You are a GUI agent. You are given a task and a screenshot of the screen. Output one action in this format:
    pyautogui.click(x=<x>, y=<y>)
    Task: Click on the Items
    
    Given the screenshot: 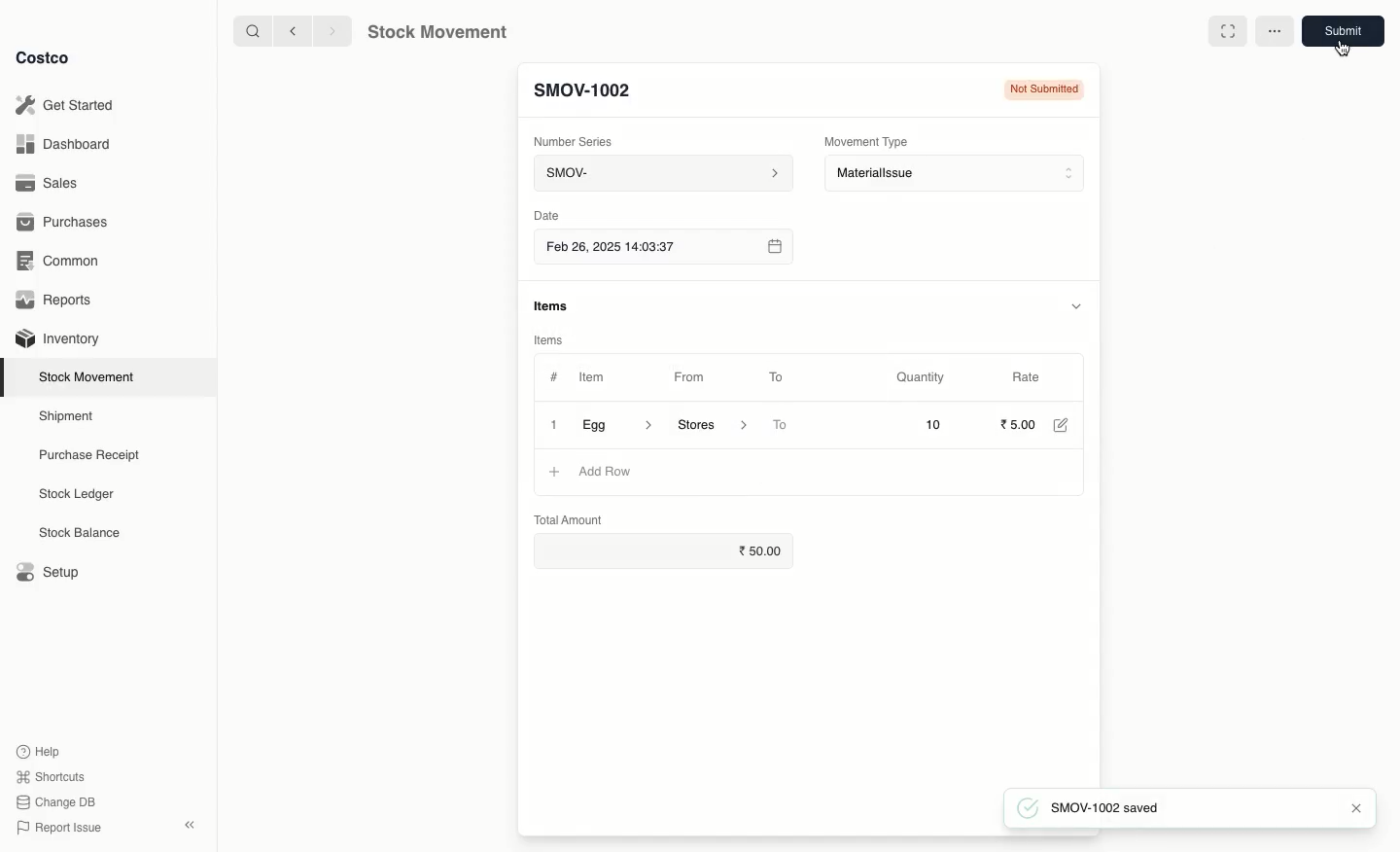 What is the action you would take?
    pyautogui.click(x=546, y=339)
    